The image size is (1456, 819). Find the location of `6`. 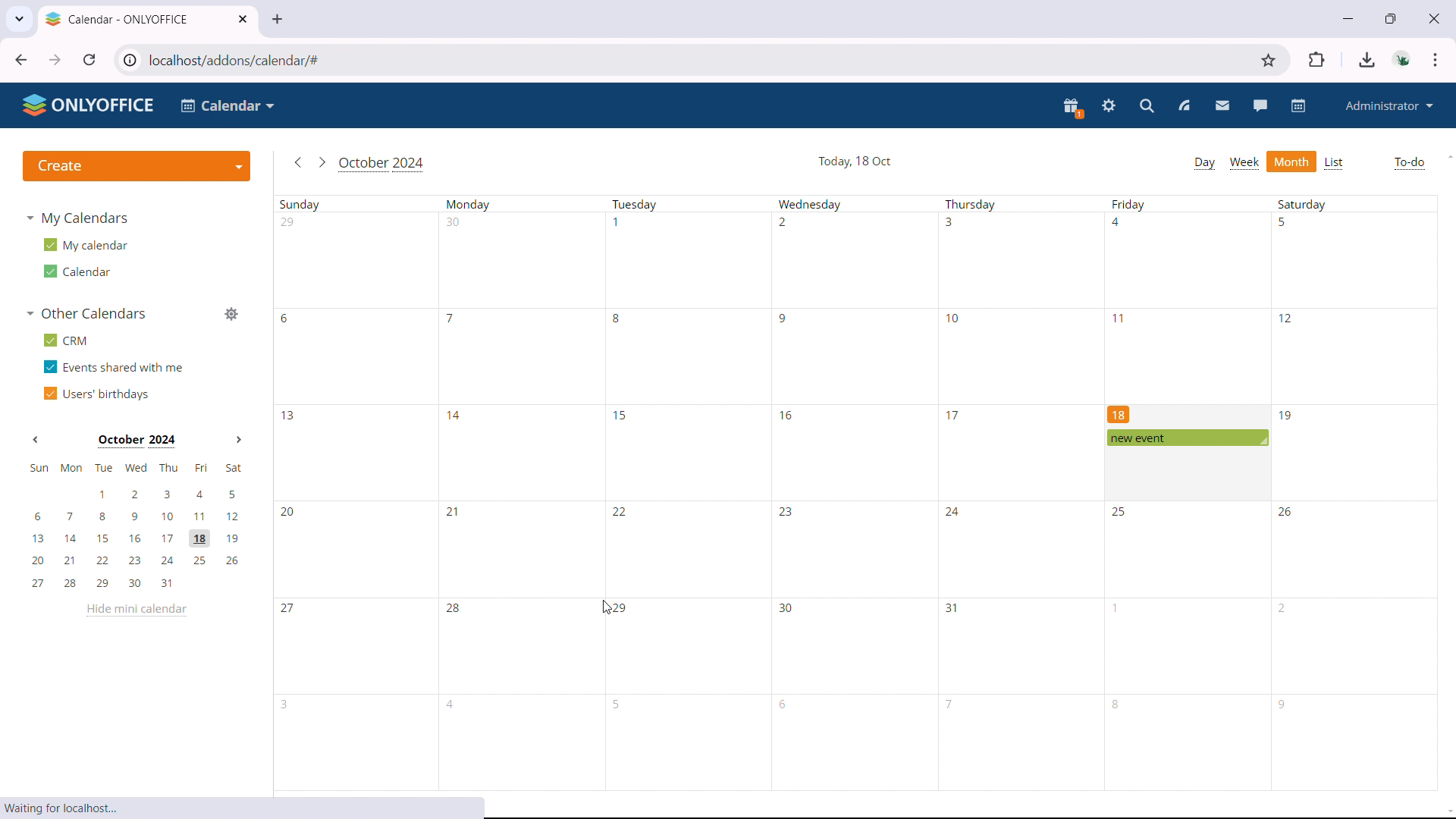

6 is located at coordinates (786, 705).